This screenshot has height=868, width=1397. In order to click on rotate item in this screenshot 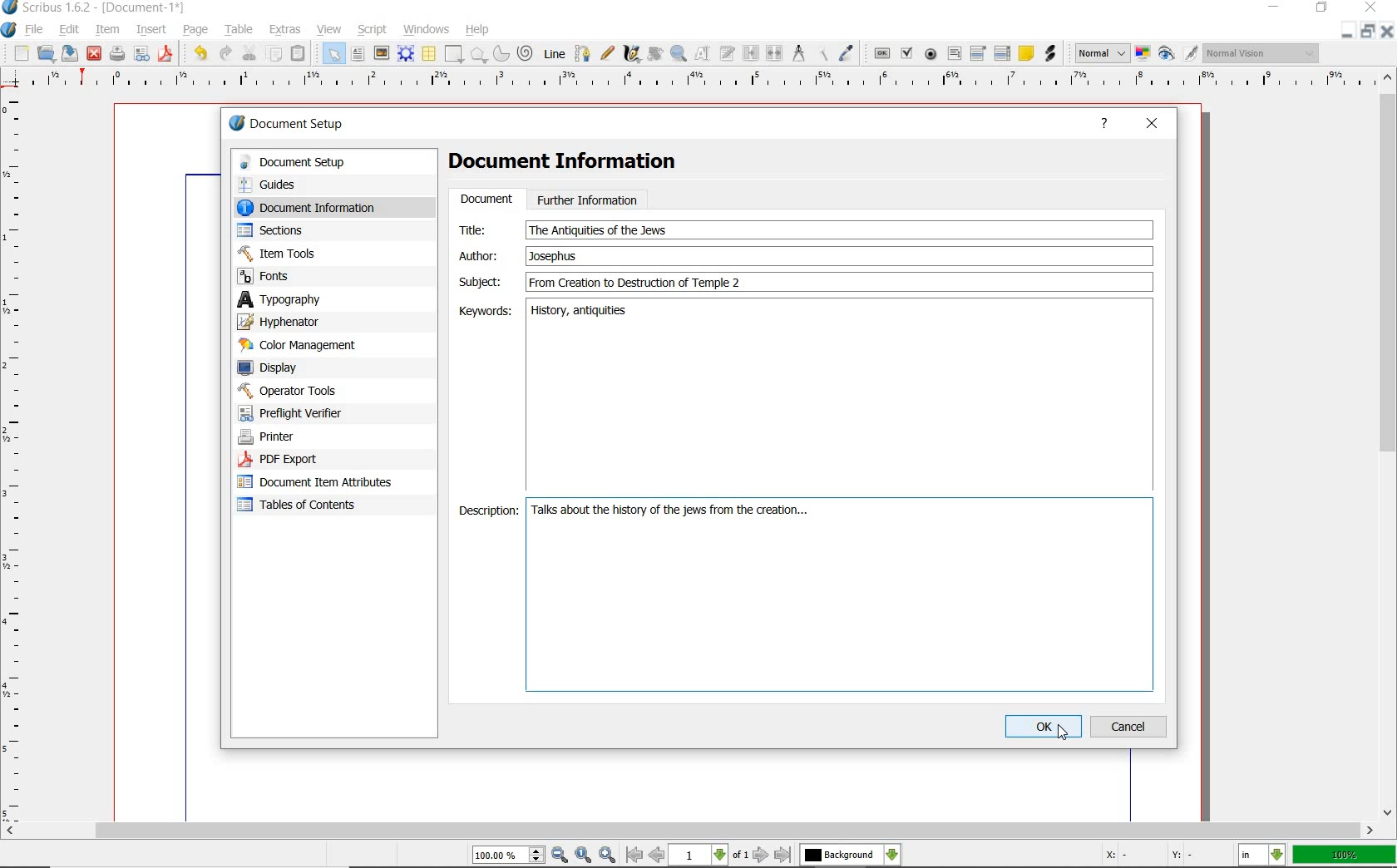, I will do `click(655, 55)`.